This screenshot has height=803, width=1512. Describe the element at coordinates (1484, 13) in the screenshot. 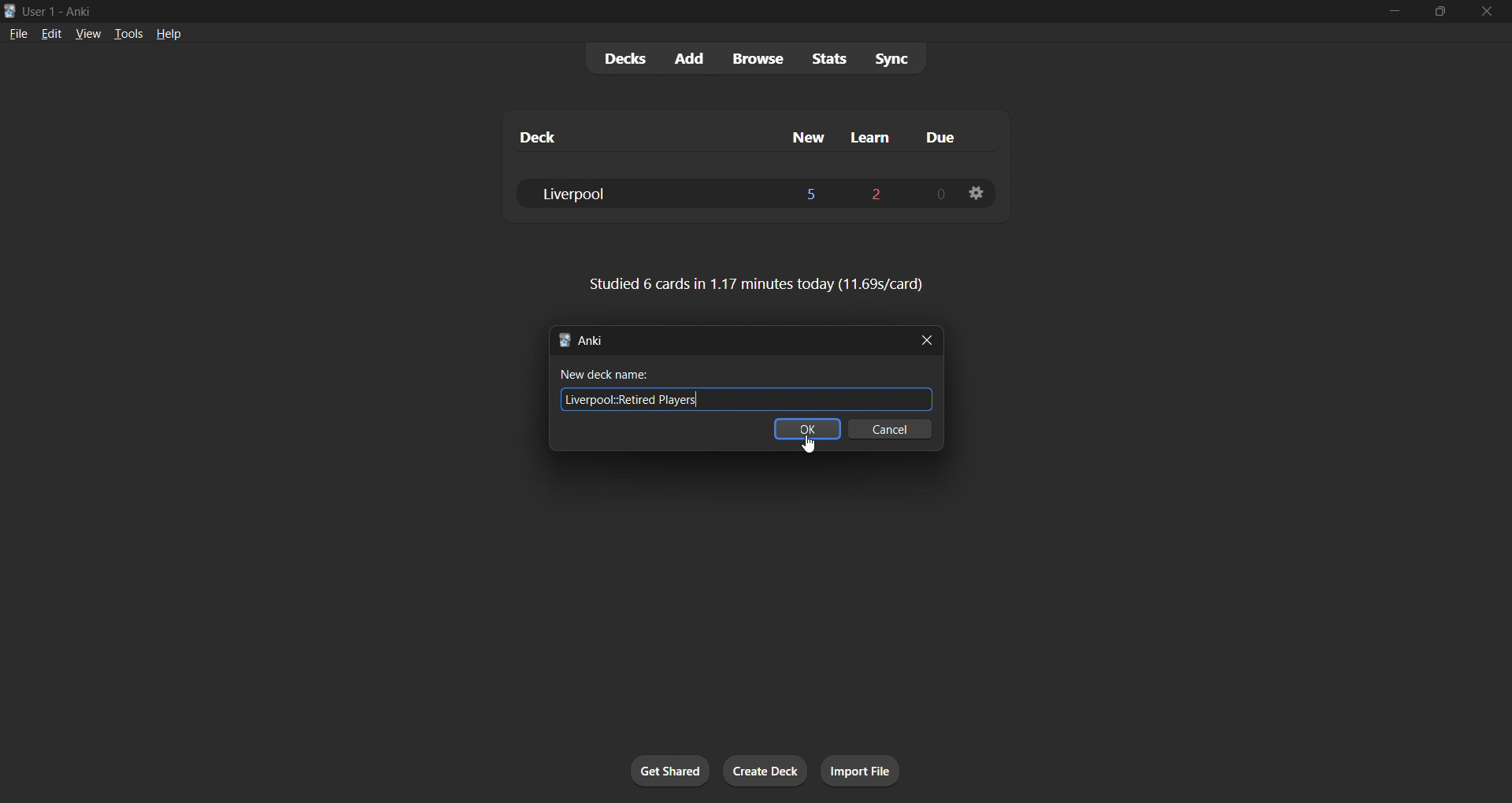

I see `close` at that location.